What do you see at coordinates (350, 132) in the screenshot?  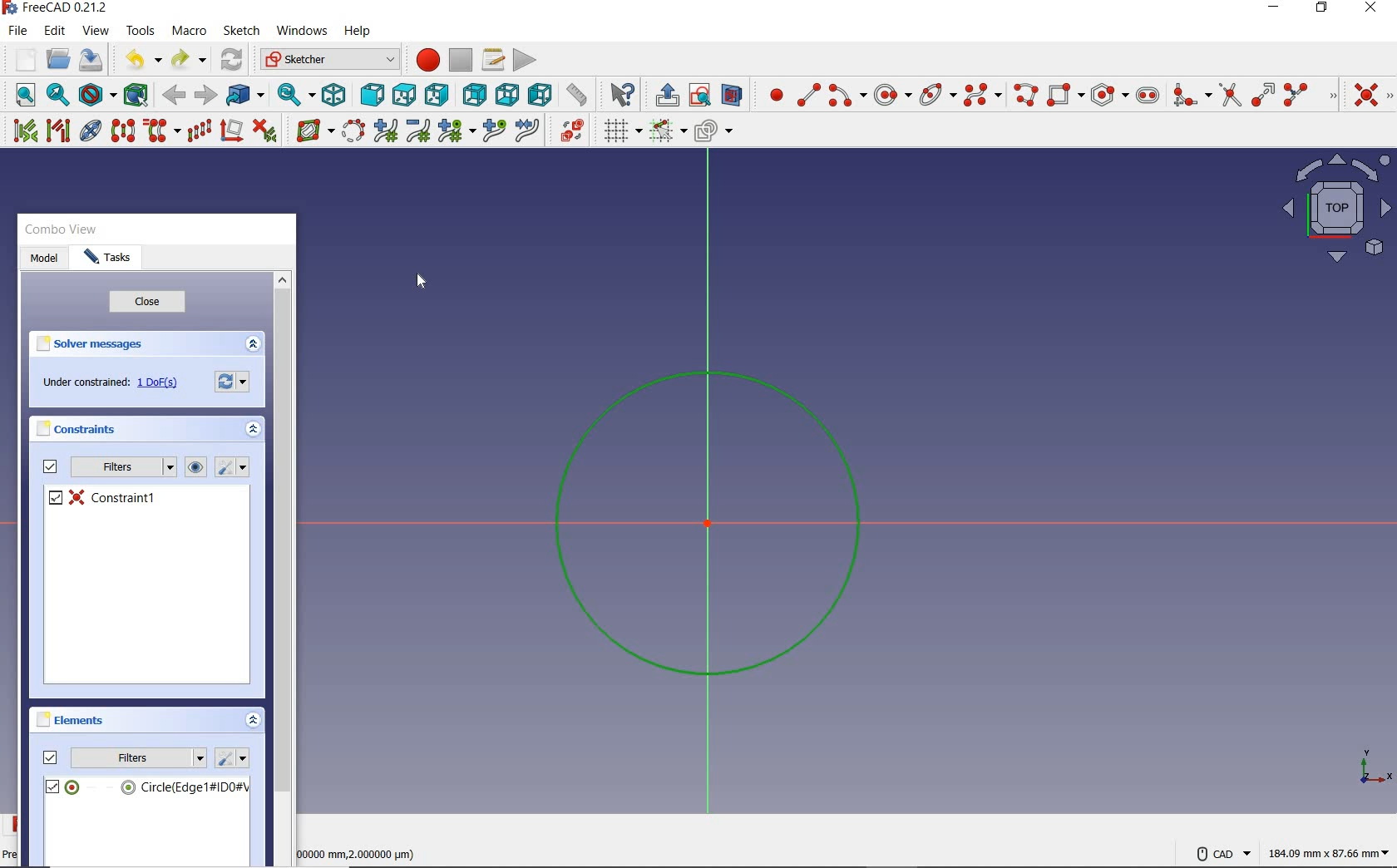 I see `convert geometry to B-spline` at bounding box center [350, 132].